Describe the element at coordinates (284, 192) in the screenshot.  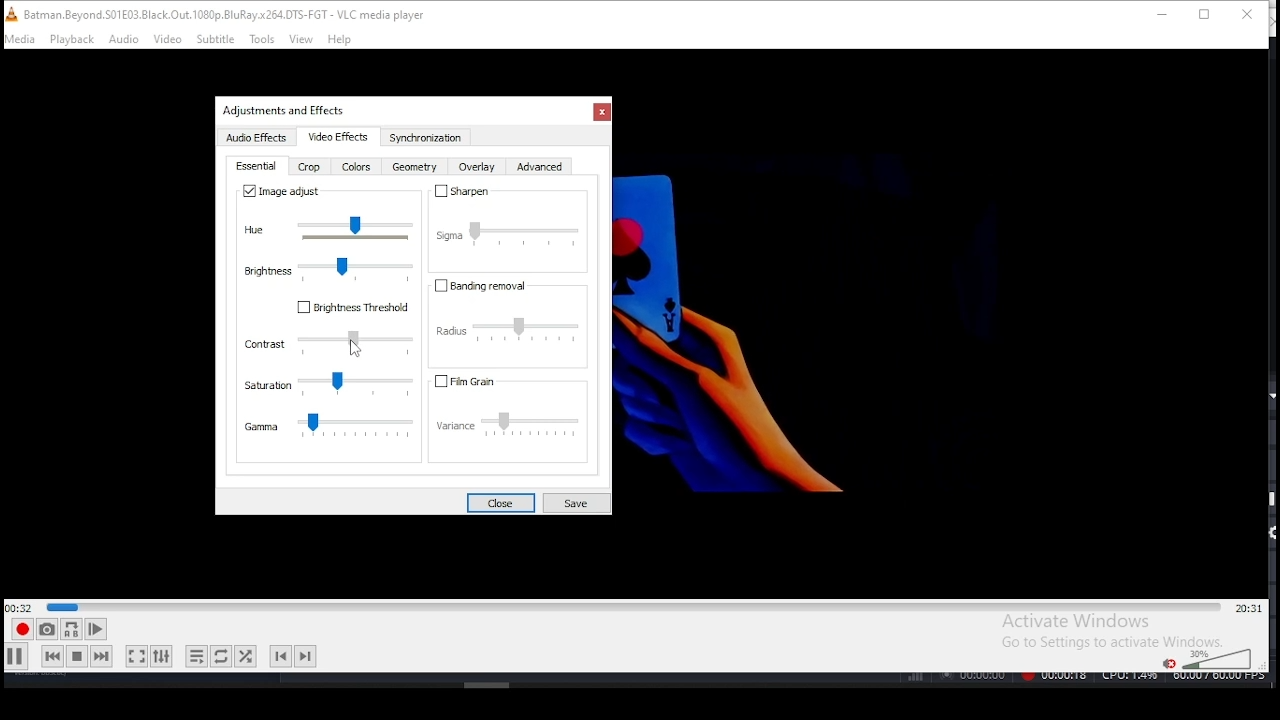
I see `image adjust on/off` at that location.